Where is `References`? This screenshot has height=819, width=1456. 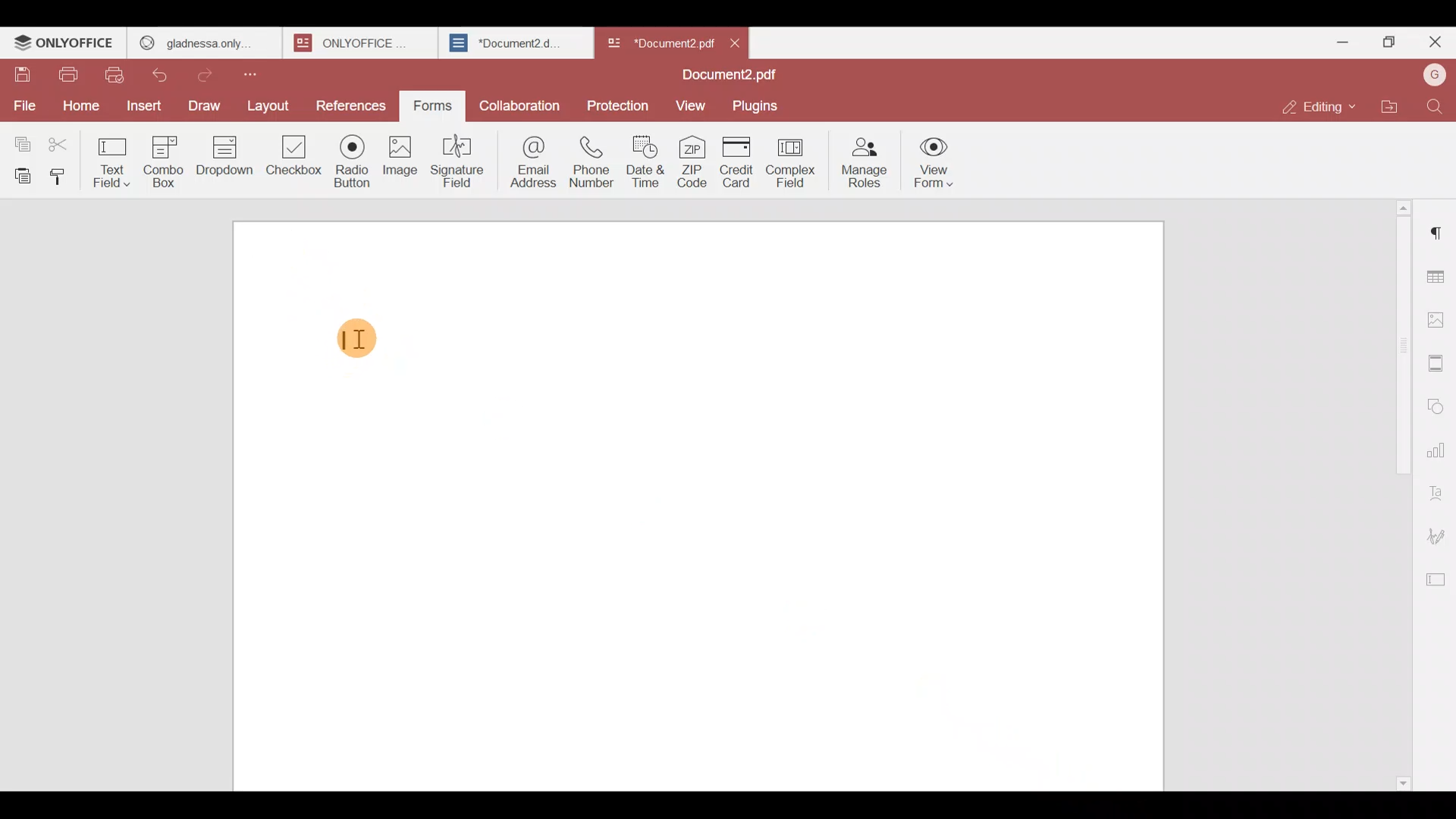 References is located at coordinates (350, 102).